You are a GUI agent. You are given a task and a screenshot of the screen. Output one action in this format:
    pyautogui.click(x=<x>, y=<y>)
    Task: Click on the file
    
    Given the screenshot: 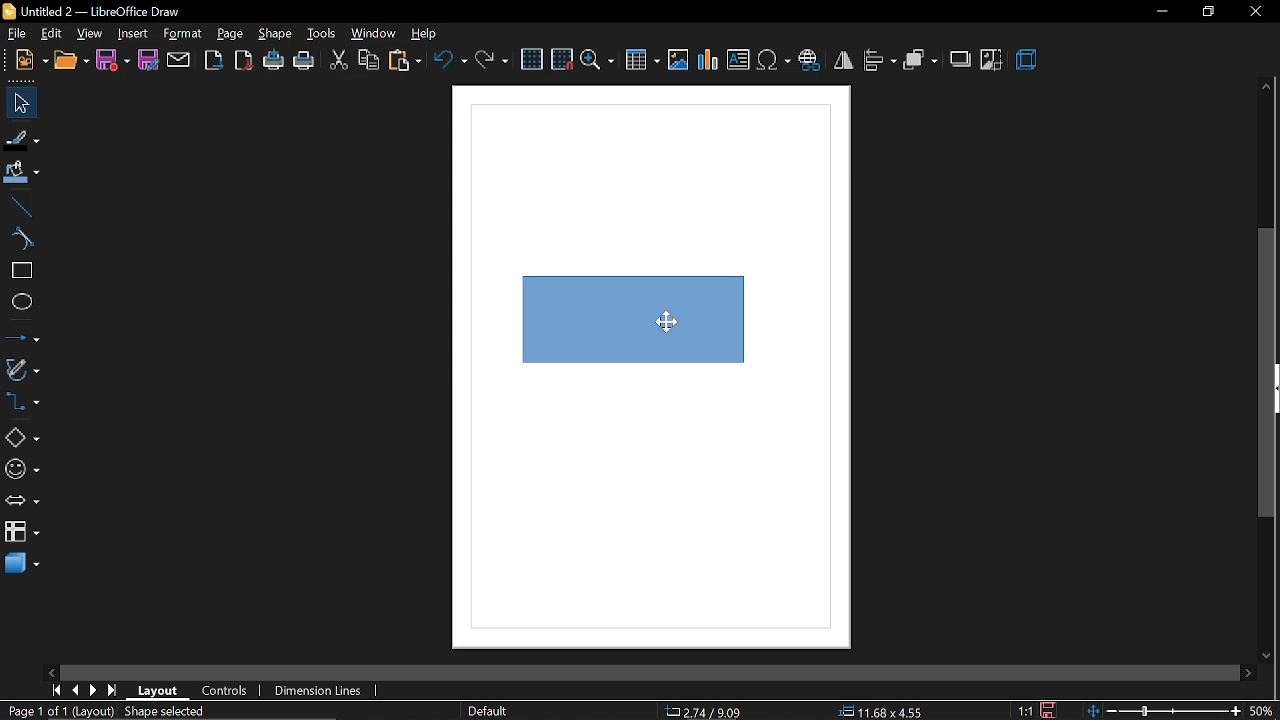 What is the action you would take?
    pyautogui.click(x=18, y=33)
    